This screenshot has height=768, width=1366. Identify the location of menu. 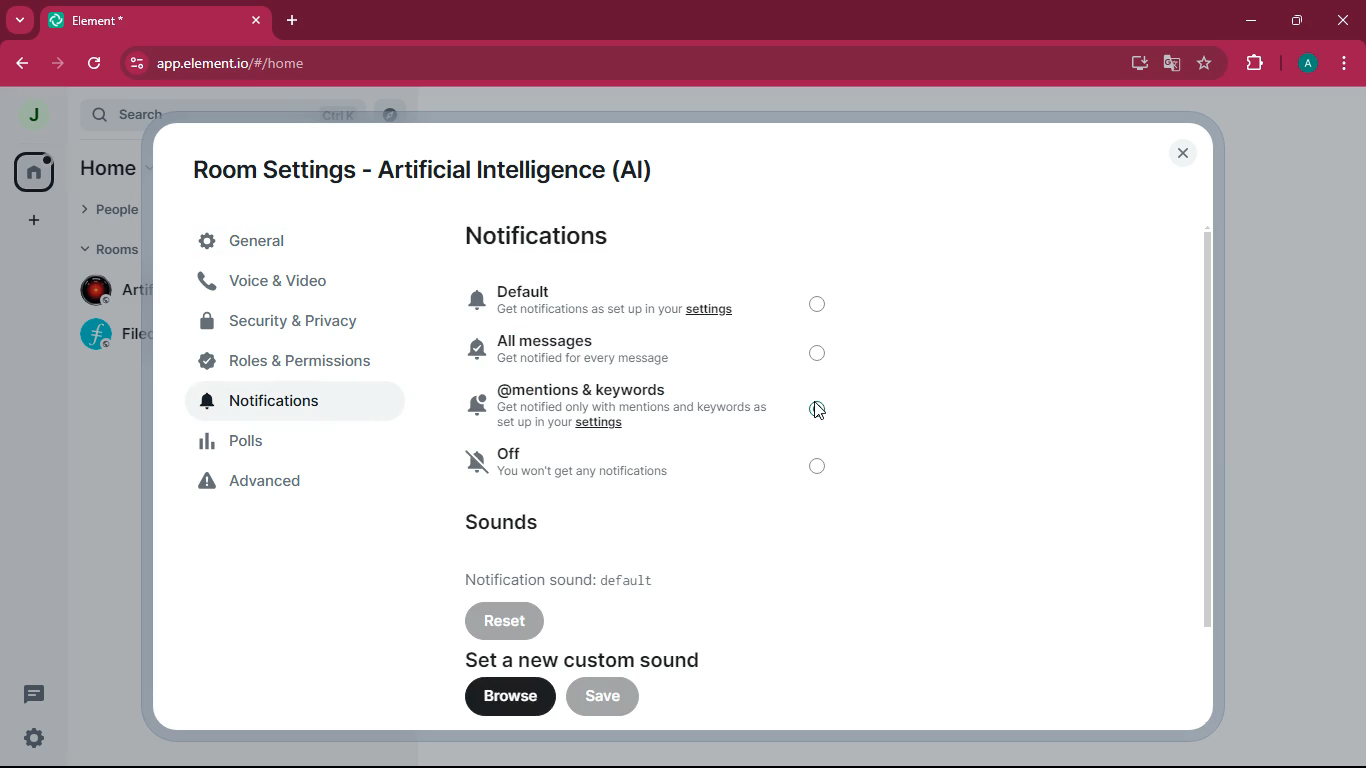
(1343, 66).